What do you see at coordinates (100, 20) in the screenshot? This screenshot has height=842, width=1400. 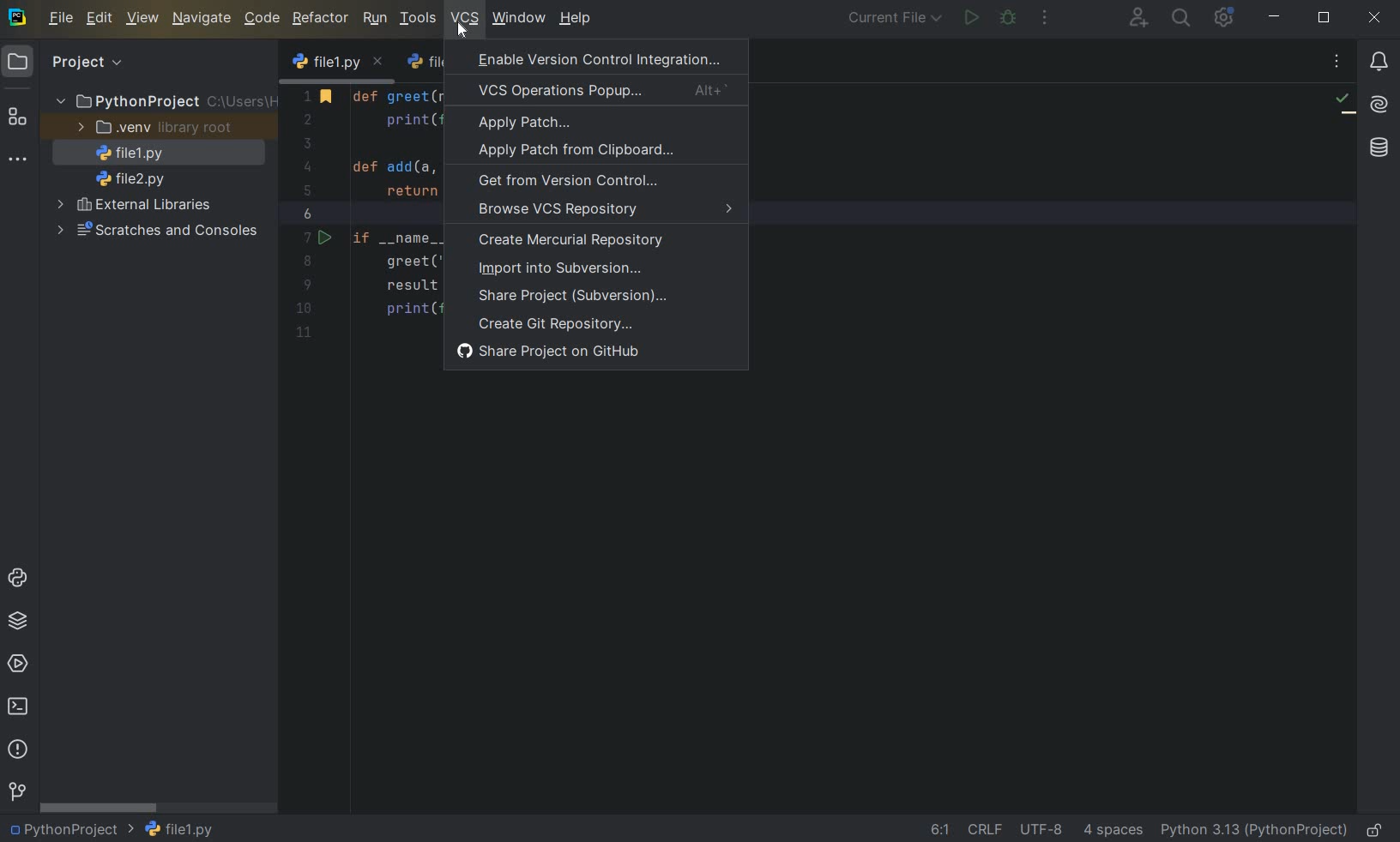 I see `edit` at bounding box center [100, 20].